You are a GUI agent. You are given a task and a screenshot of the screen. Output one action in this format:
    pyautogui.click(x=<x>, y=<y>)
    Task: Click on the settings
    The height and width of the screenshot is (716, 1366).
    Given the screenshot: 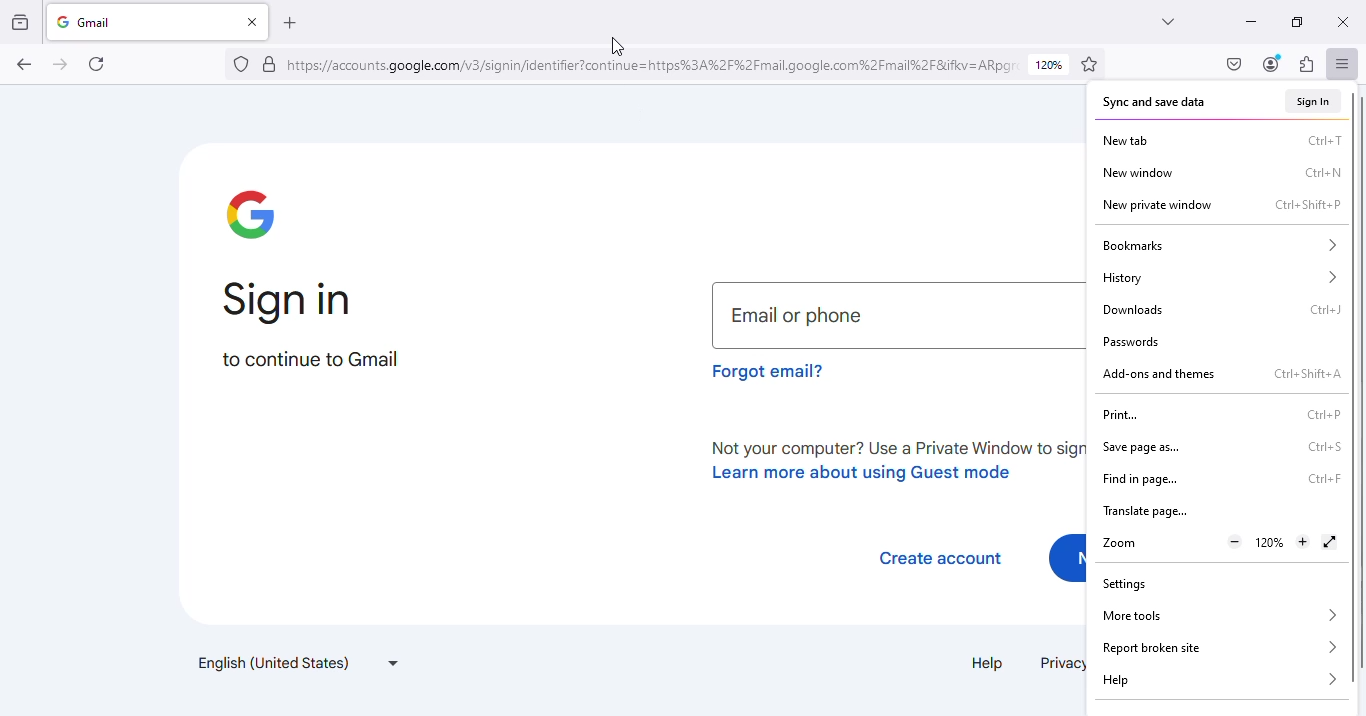 What is the action you would take?
    pyautogui.click(x=1124, y=585)
    